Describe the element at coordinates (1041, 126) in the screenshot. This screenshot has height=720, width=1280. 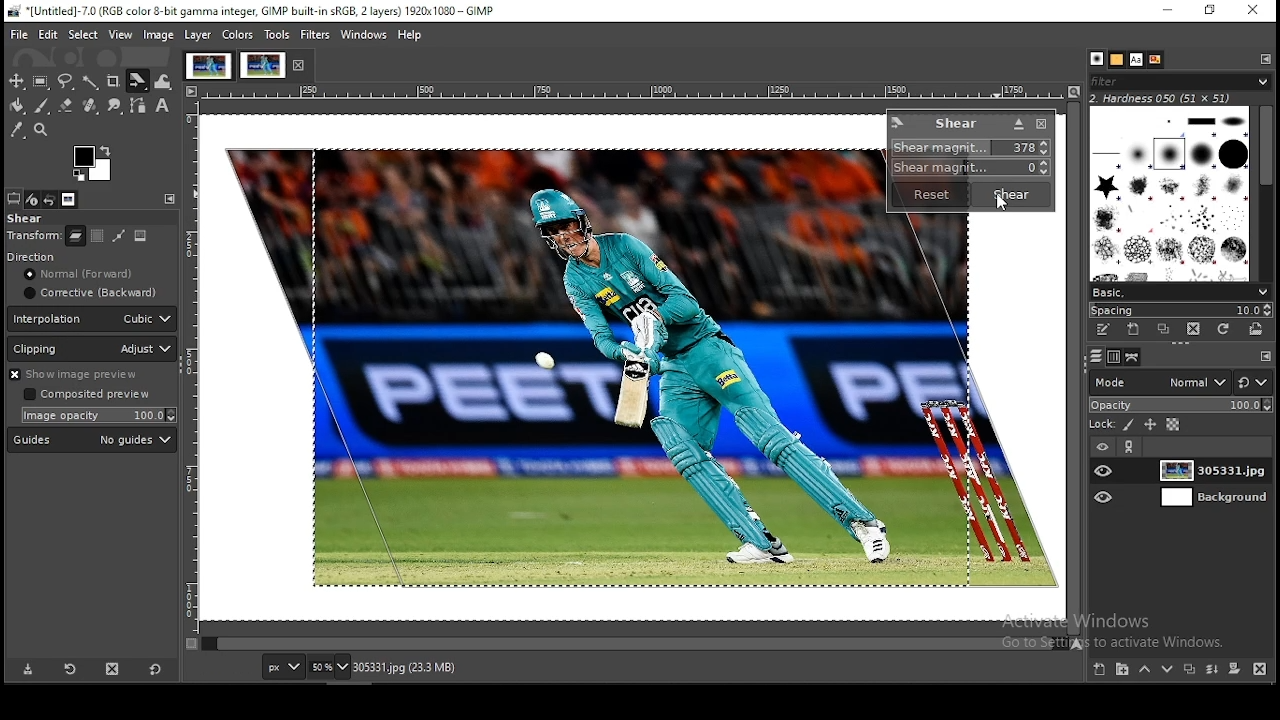
I see `close` at that location.